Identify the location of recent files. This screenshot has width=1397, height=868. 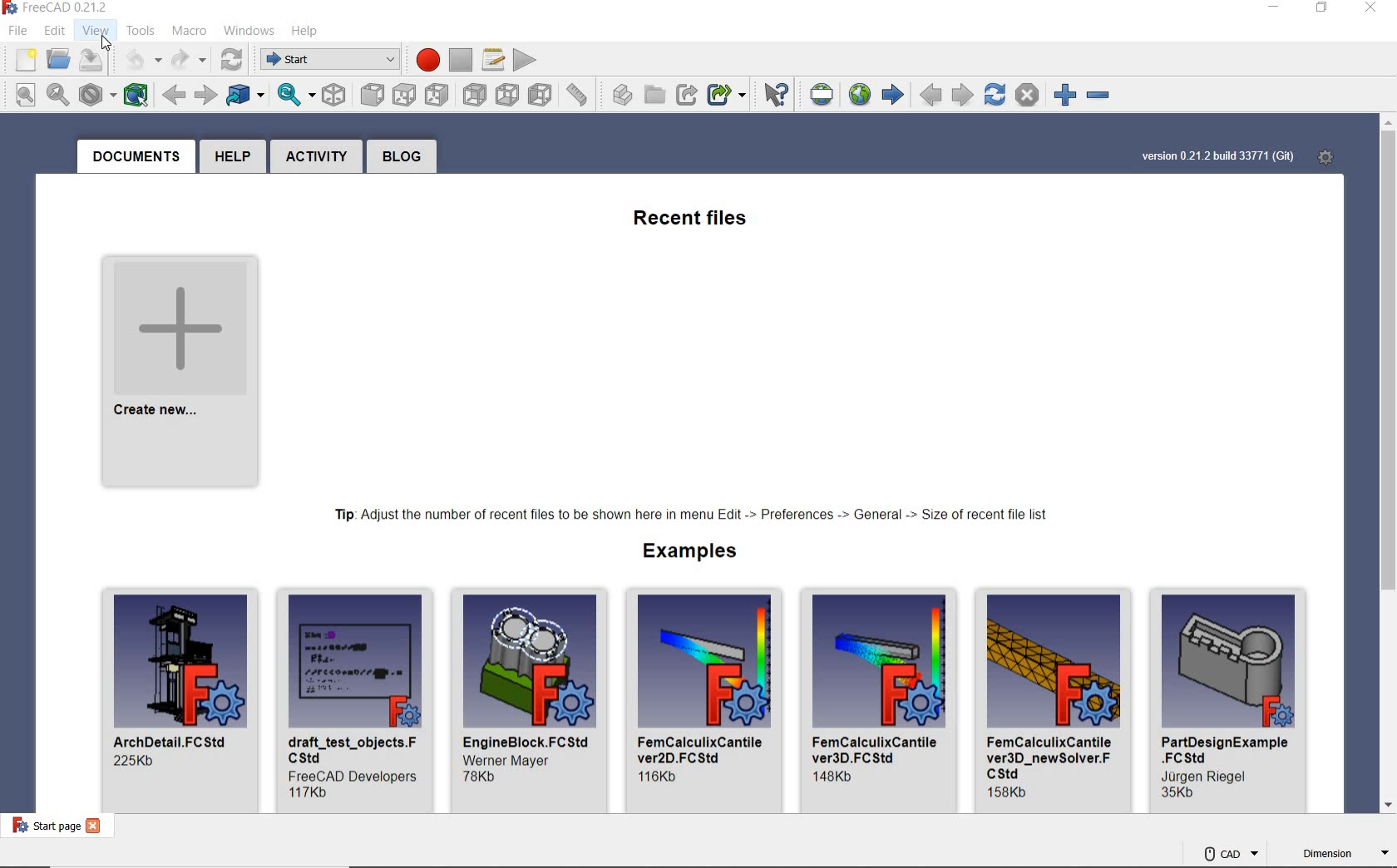
(695, 222).